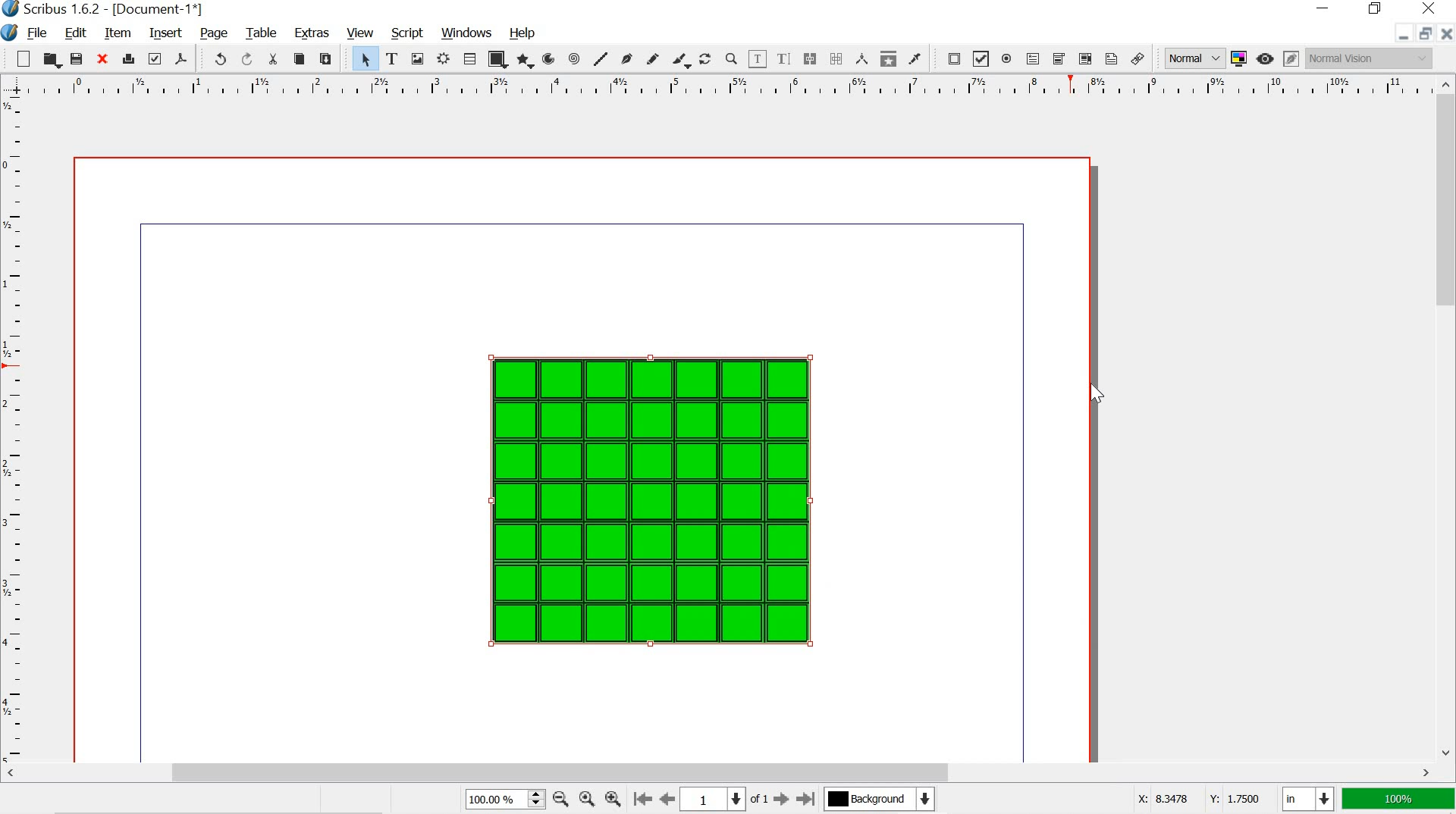  What do you see at coordinates (783, 800) in the screenshot?
I see `go to the next page` at bounding box center [783, 800].